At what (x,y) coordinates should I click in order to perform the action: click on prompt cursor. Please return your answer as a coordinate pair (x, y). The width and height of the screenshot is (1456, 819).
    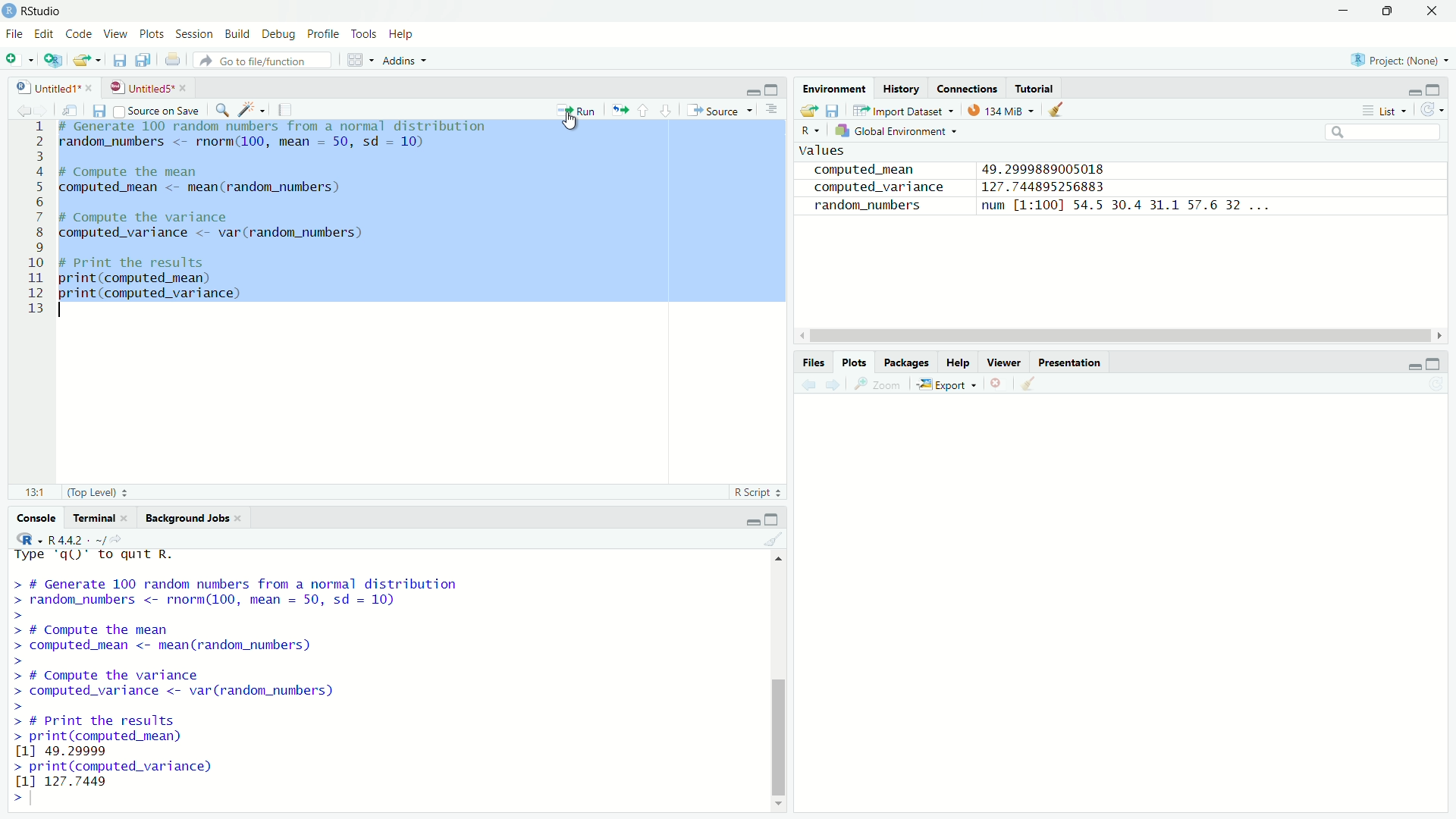
    Looking at the image, I should click on (12, 797).